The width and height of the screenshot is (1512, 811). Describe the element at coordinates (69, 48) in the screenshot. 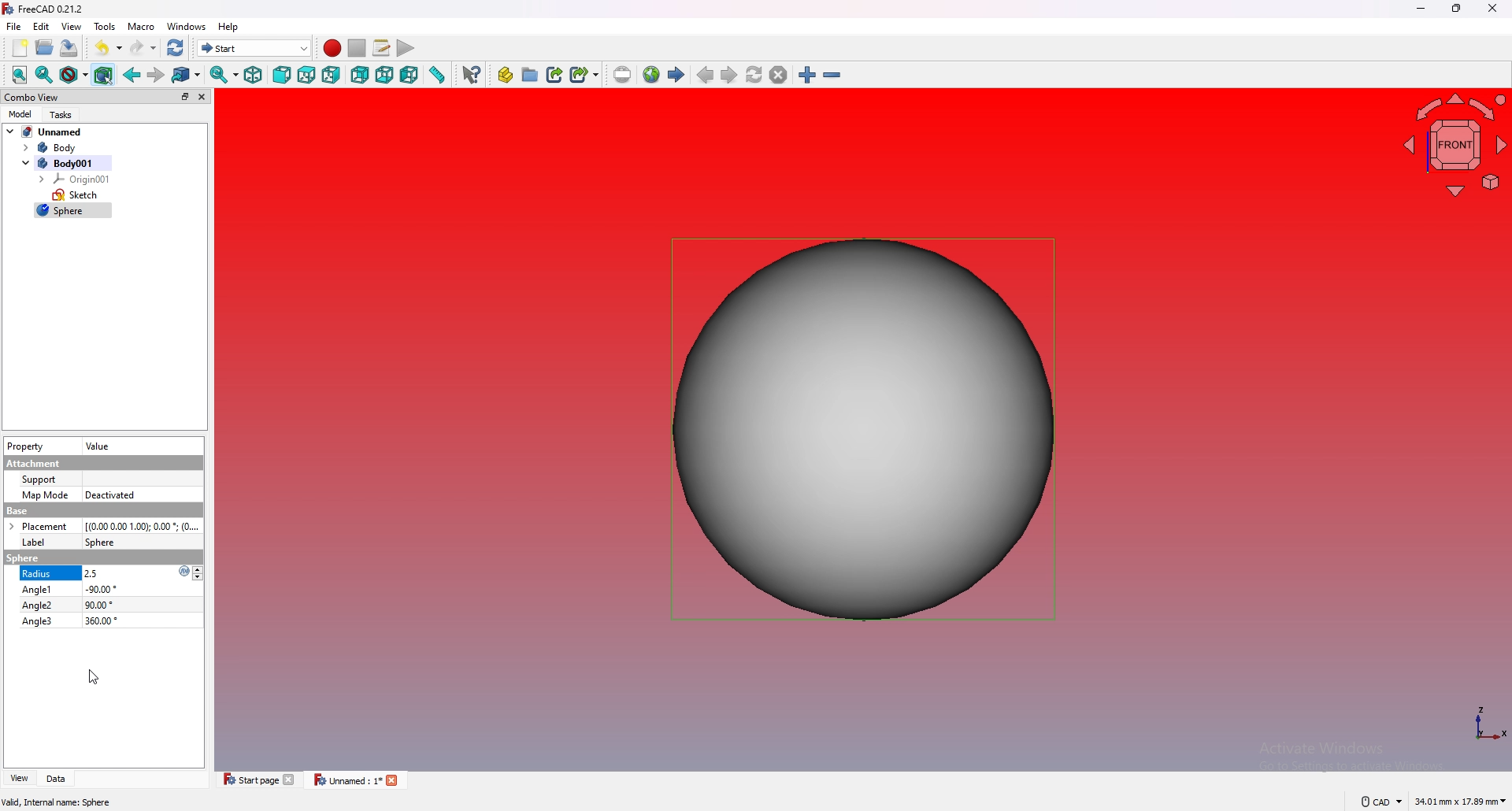

I see `save` at that location.